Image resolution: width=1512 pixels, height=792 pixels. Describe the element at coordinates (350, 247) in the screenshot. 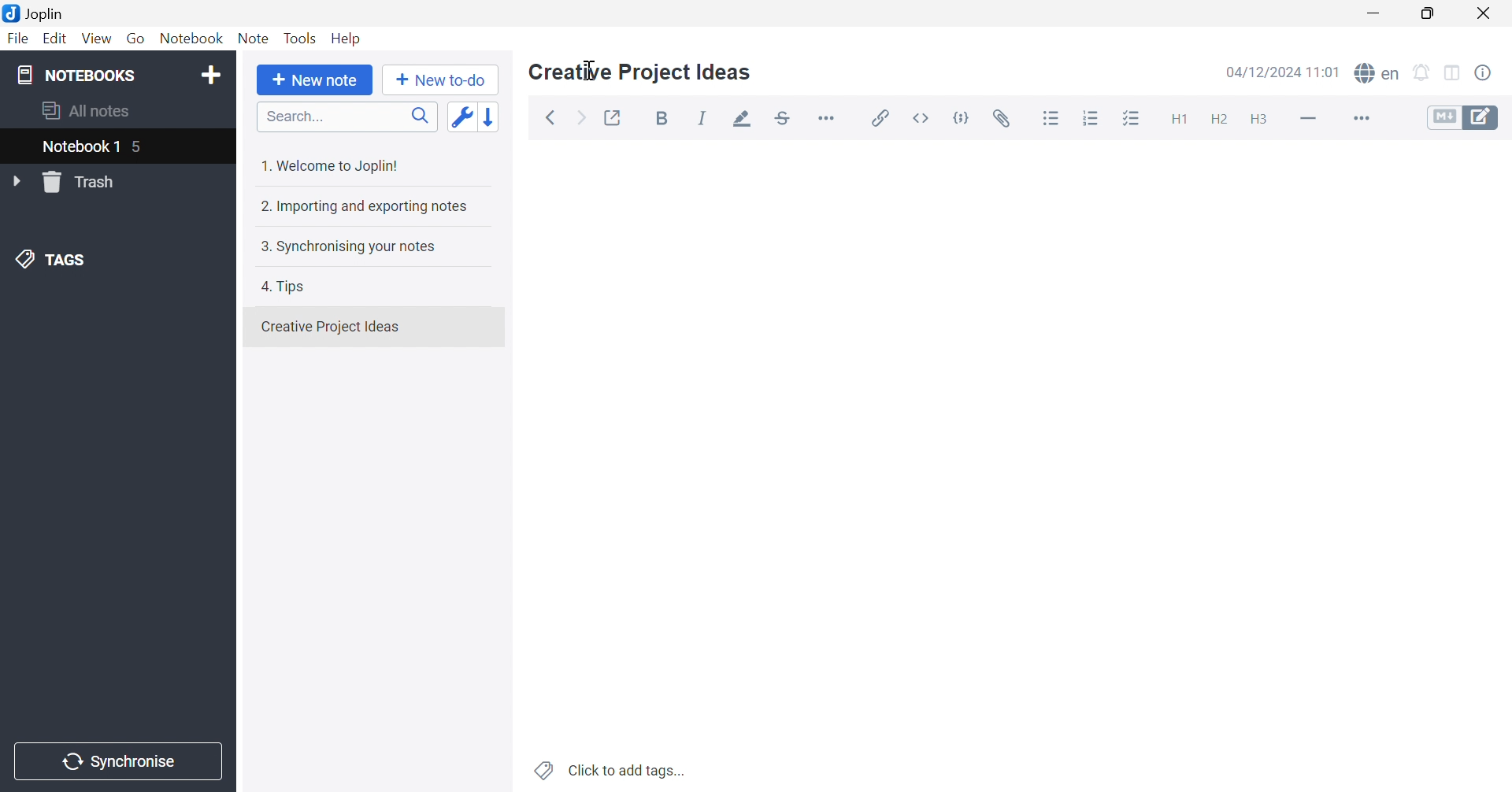

I see `3. Synchronising your notes` at that location.